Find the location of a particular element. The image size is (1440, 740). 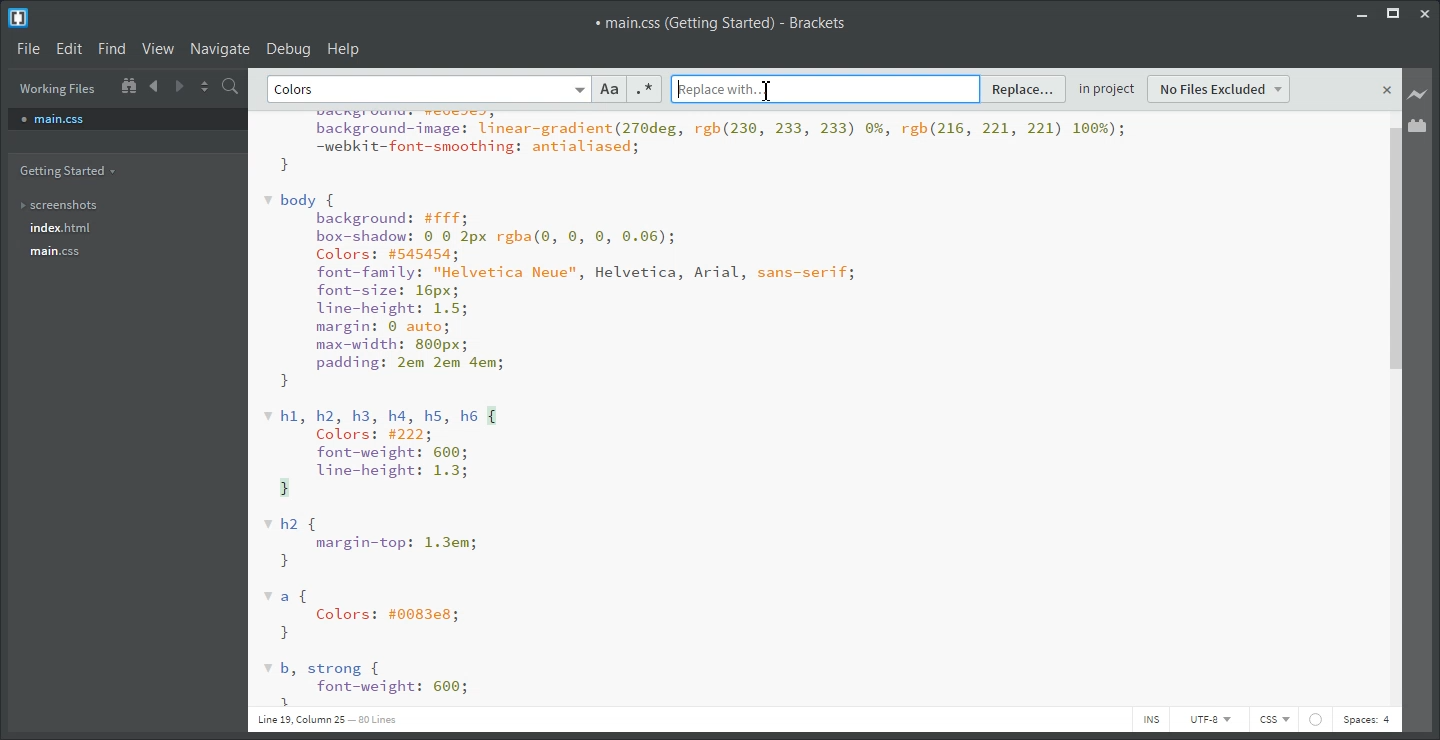

Navigate Forward is located at coordinates (180, 84).